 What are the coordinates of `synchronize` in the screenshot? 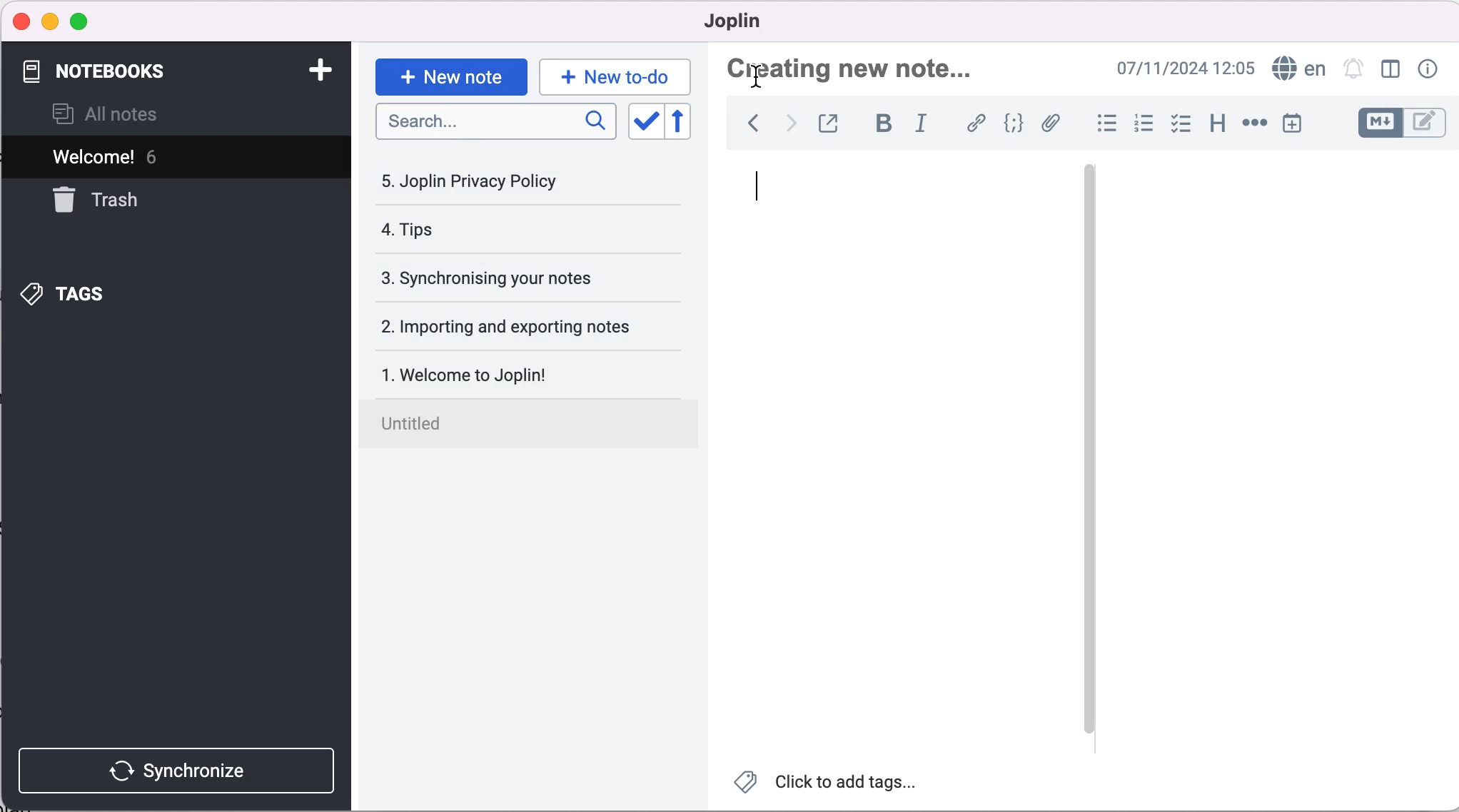 It's located at (180, 766).